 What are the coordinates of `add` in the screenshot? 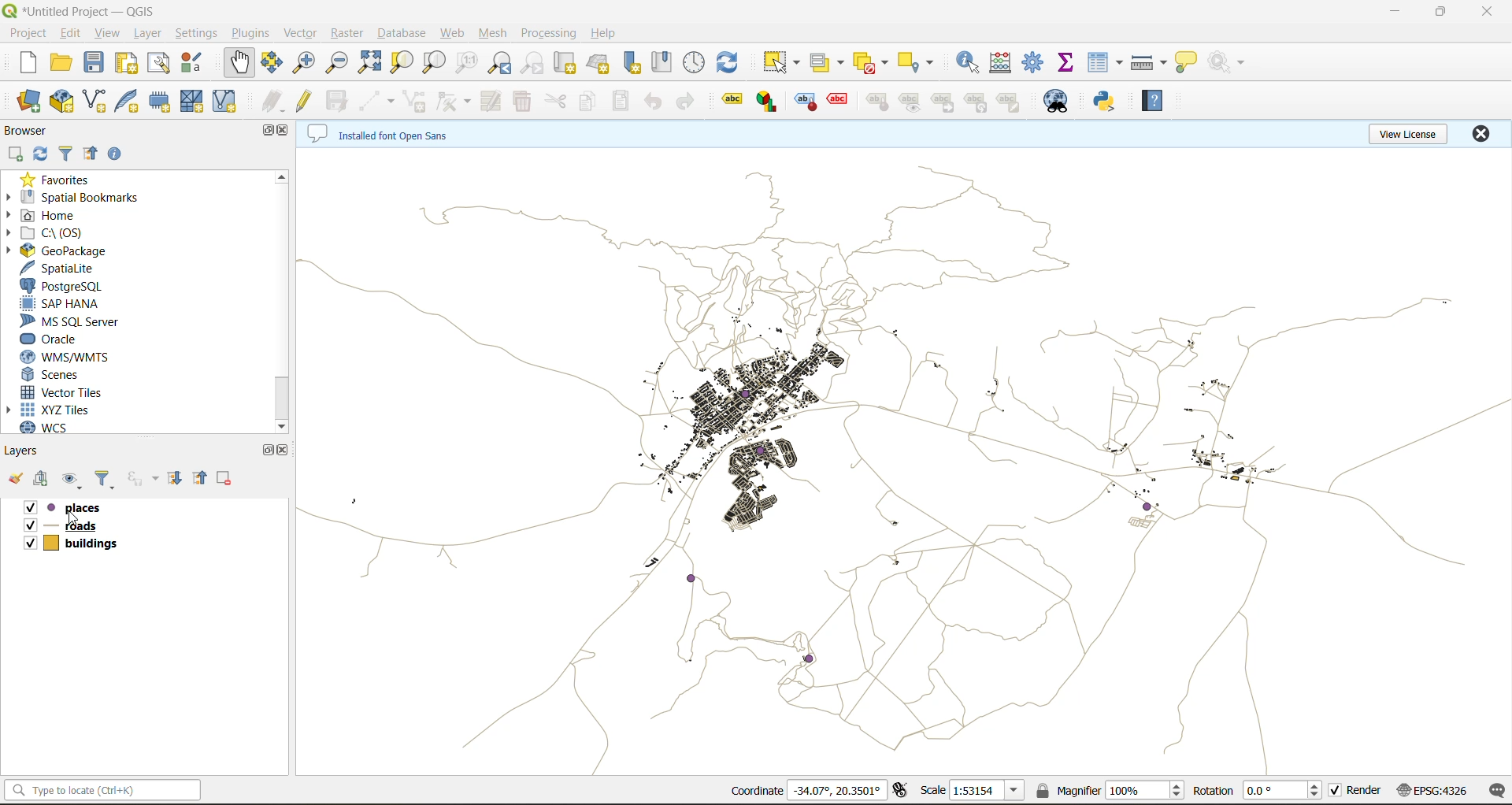 It's located at (45, 478).